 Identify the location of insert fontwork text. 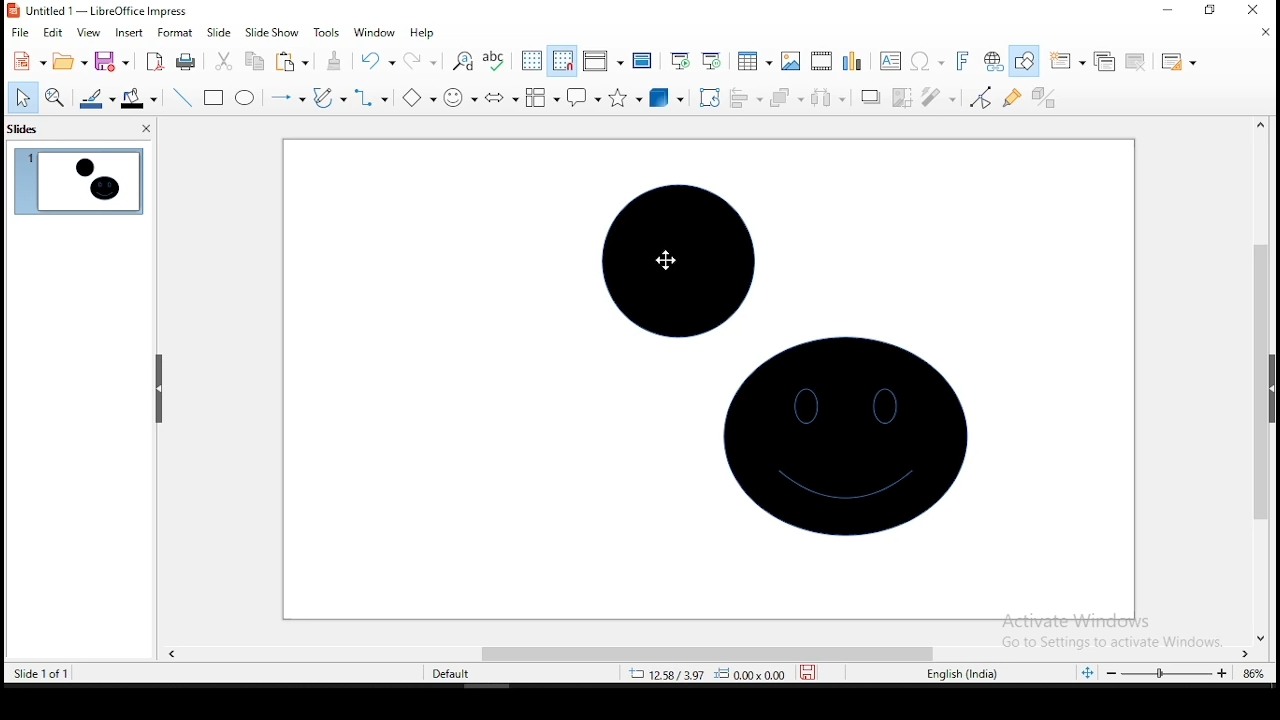
(964, 60).